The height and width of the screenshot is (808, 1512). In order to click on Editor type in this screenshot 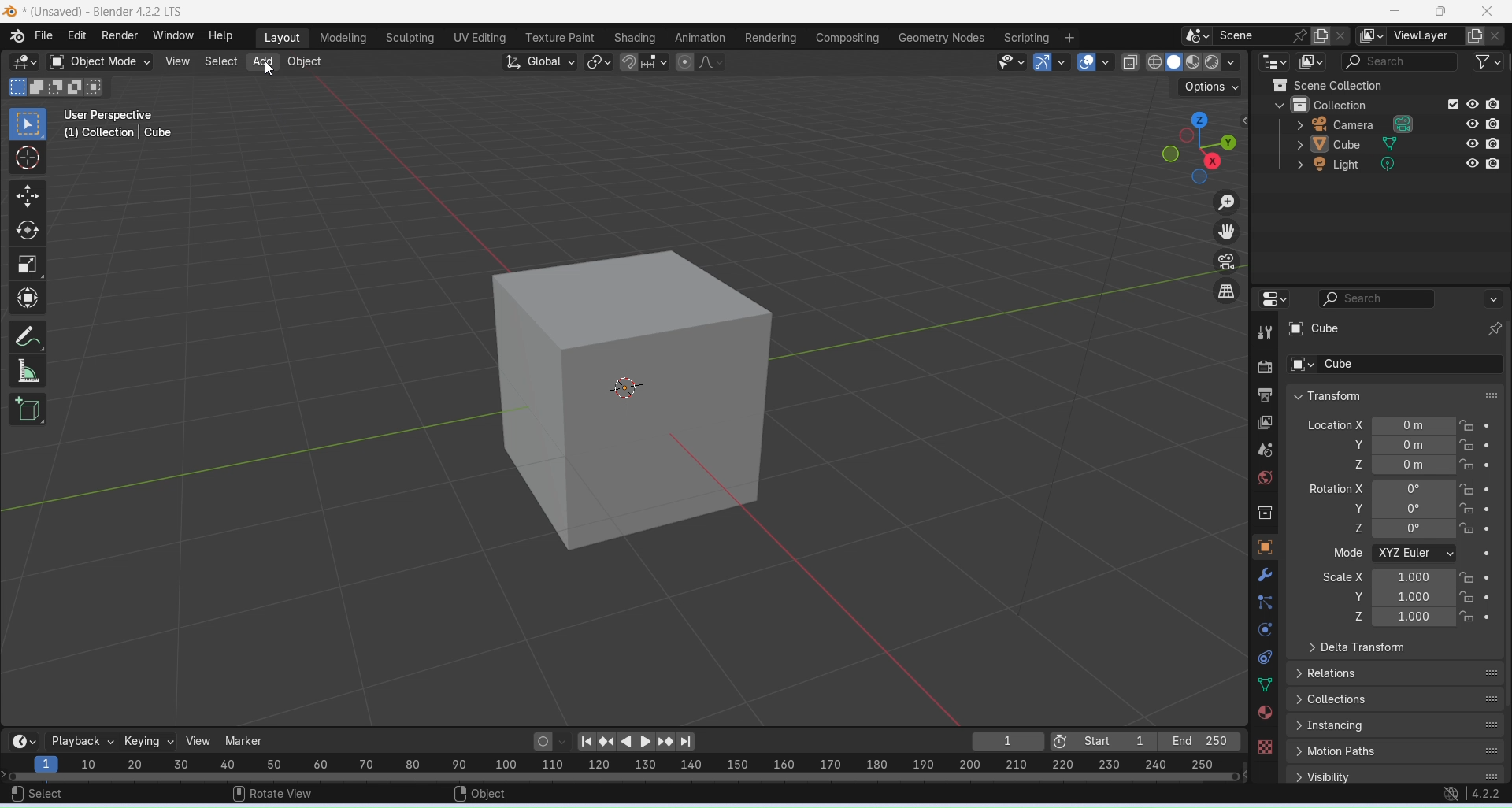, I will do `click(21, 740)`.